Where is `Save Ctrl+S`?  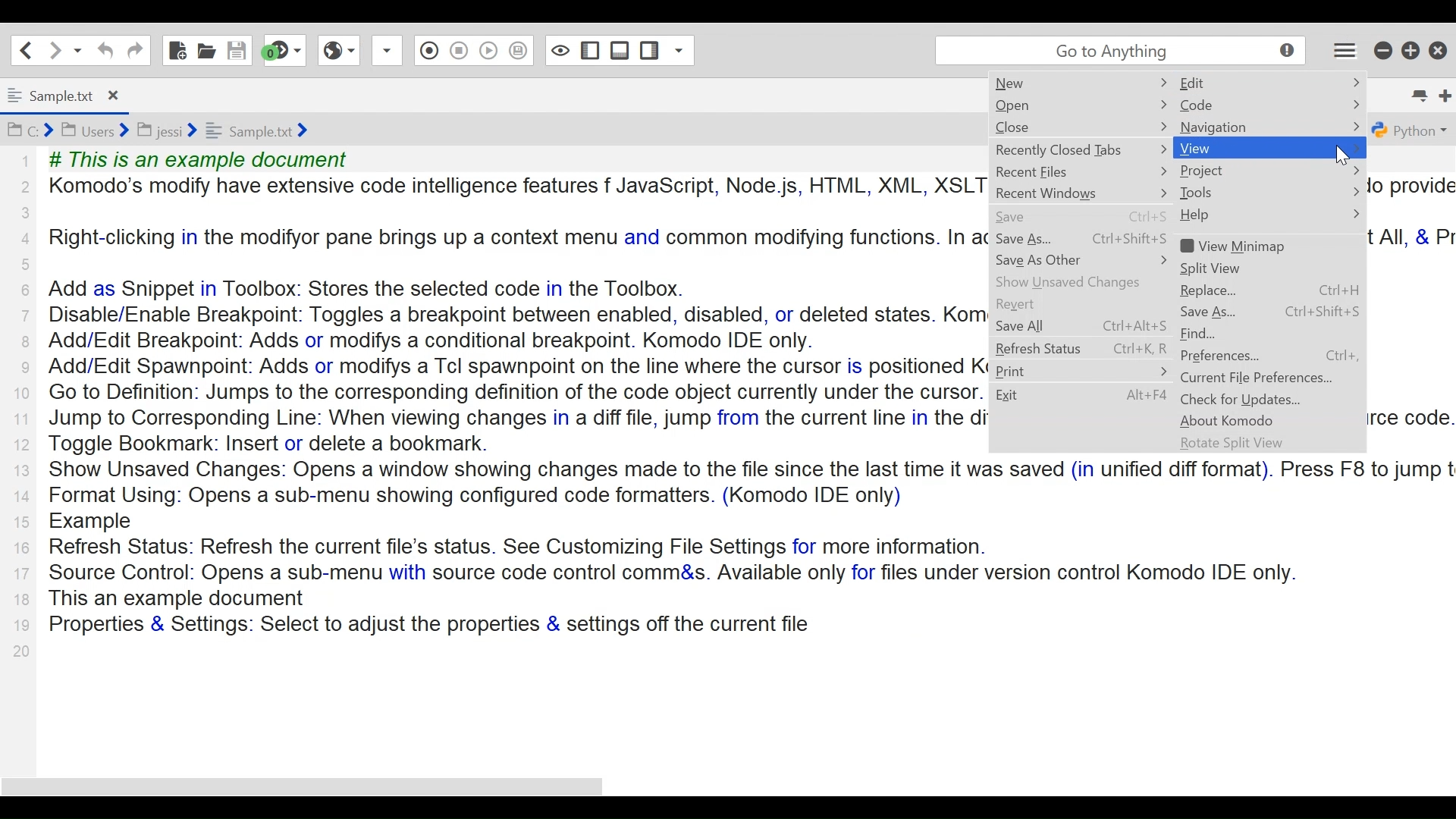 Save Ctrl+S is located at coordinates (1084, 216).